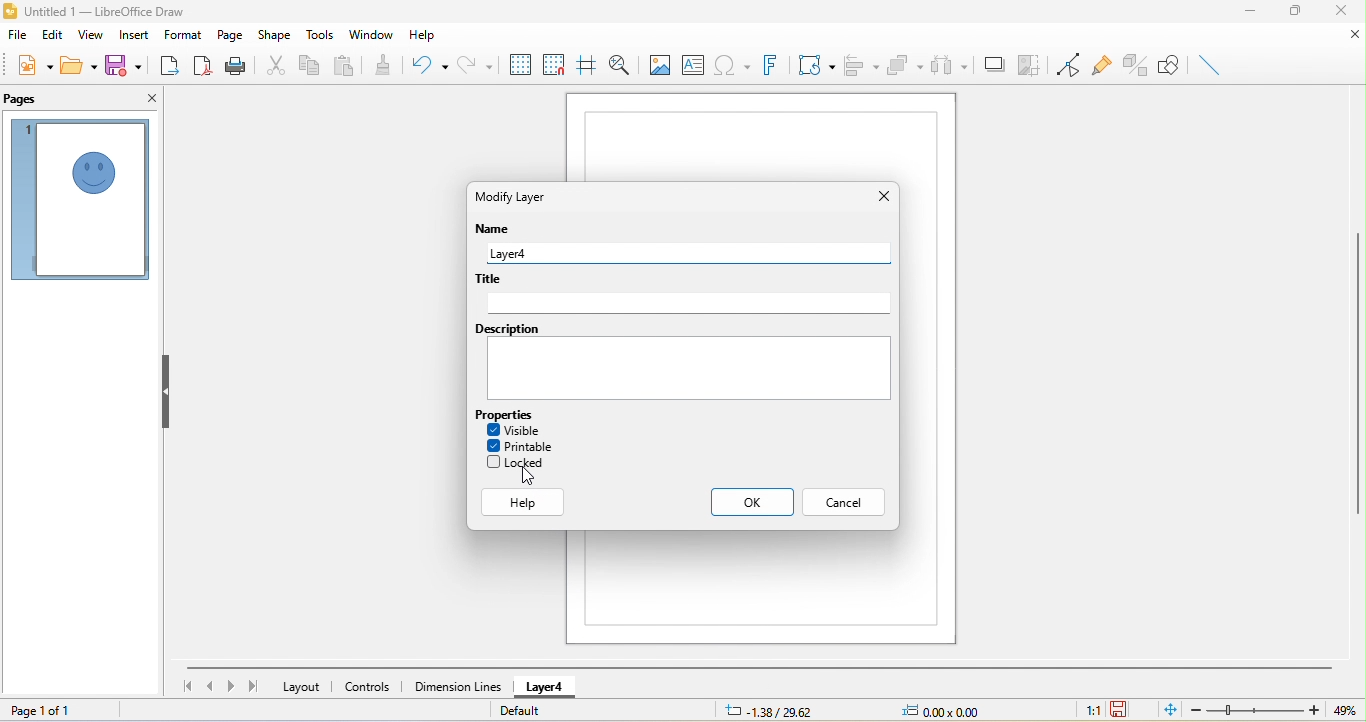 This screenshot has height=722, width=1366. What do you see at coordinates (184, 686) in the screenshot?
I see `first page` at bounding box center [184, 686].